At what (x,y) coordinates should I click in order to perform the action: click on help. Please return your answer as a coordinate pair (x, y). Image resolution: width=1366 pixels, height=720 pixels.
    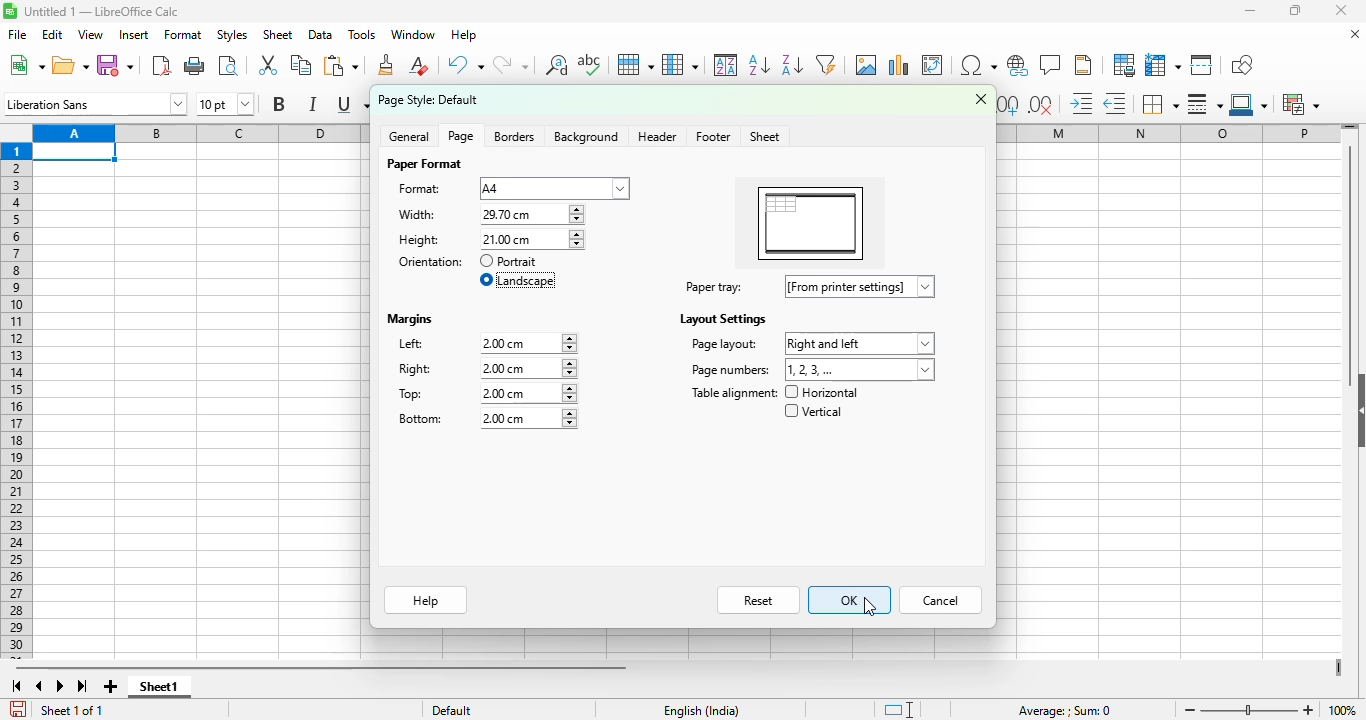
    Looking at the image, I should click on (427, 600).